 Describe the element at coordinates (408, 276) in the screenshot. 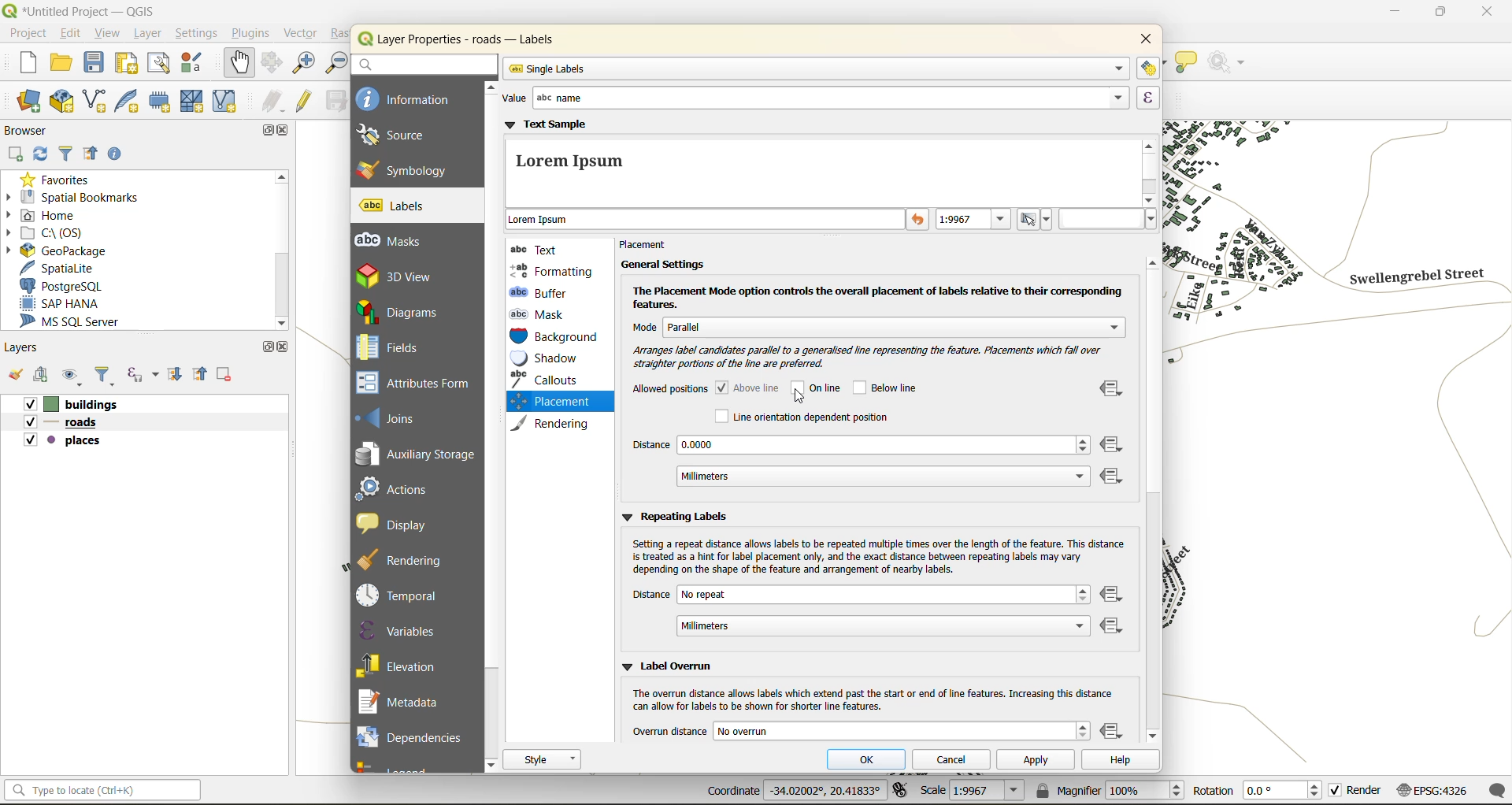

I see `3d view` at that location.